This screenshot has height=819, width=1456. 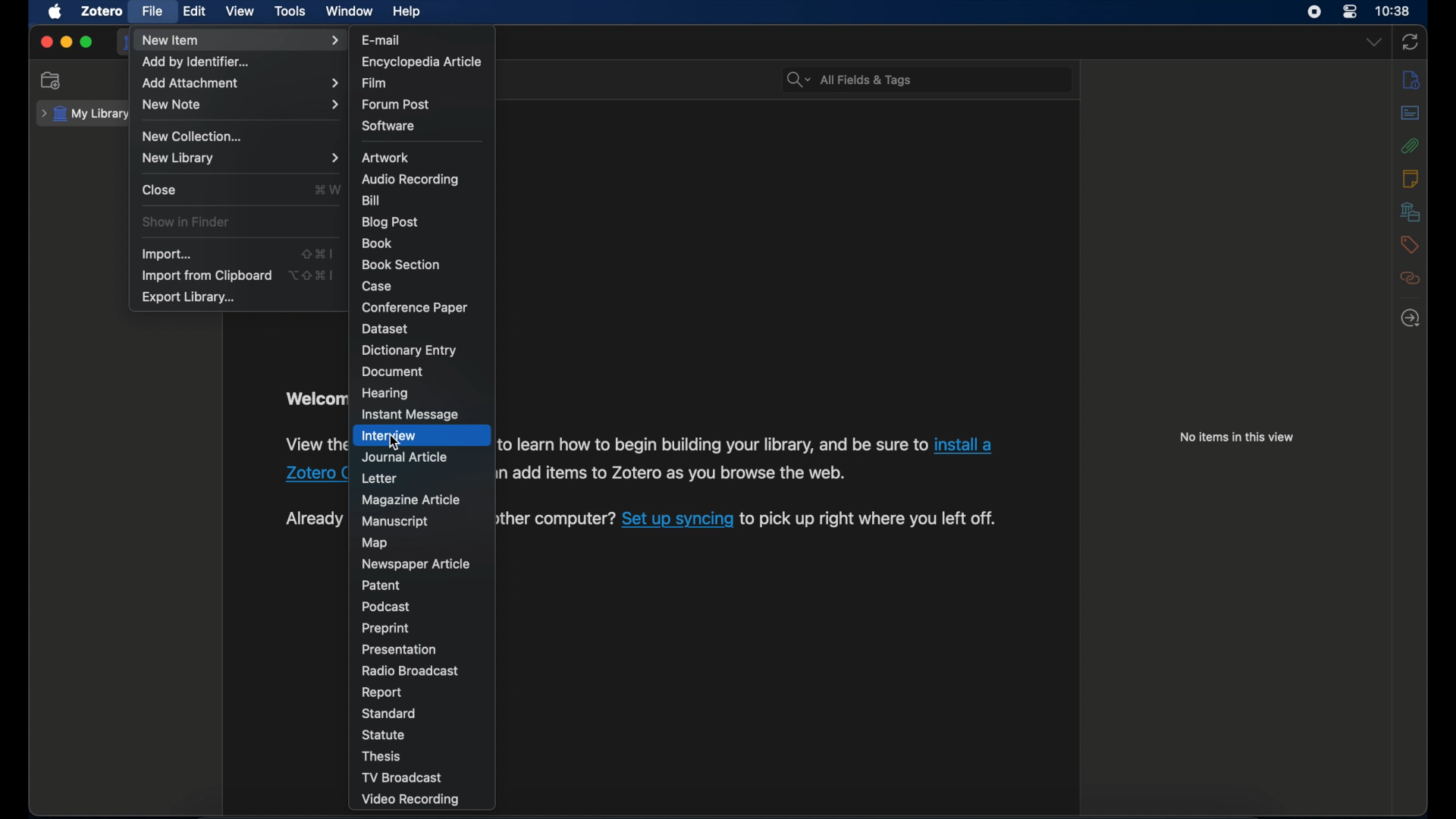 I want to click on report, so click(x=383, y=693).